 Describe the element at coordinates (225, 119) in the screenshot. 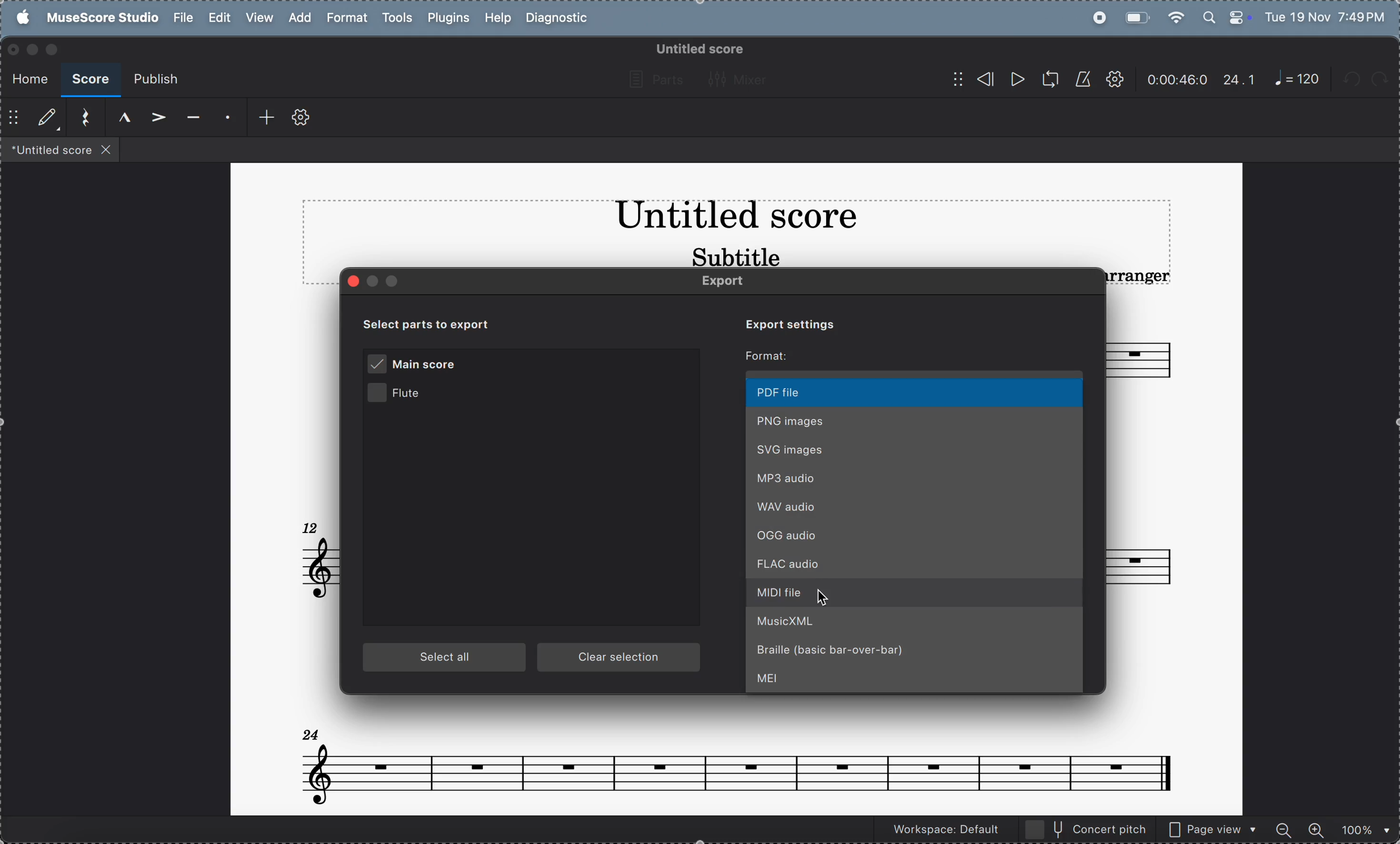

I see `staccato` at that location.